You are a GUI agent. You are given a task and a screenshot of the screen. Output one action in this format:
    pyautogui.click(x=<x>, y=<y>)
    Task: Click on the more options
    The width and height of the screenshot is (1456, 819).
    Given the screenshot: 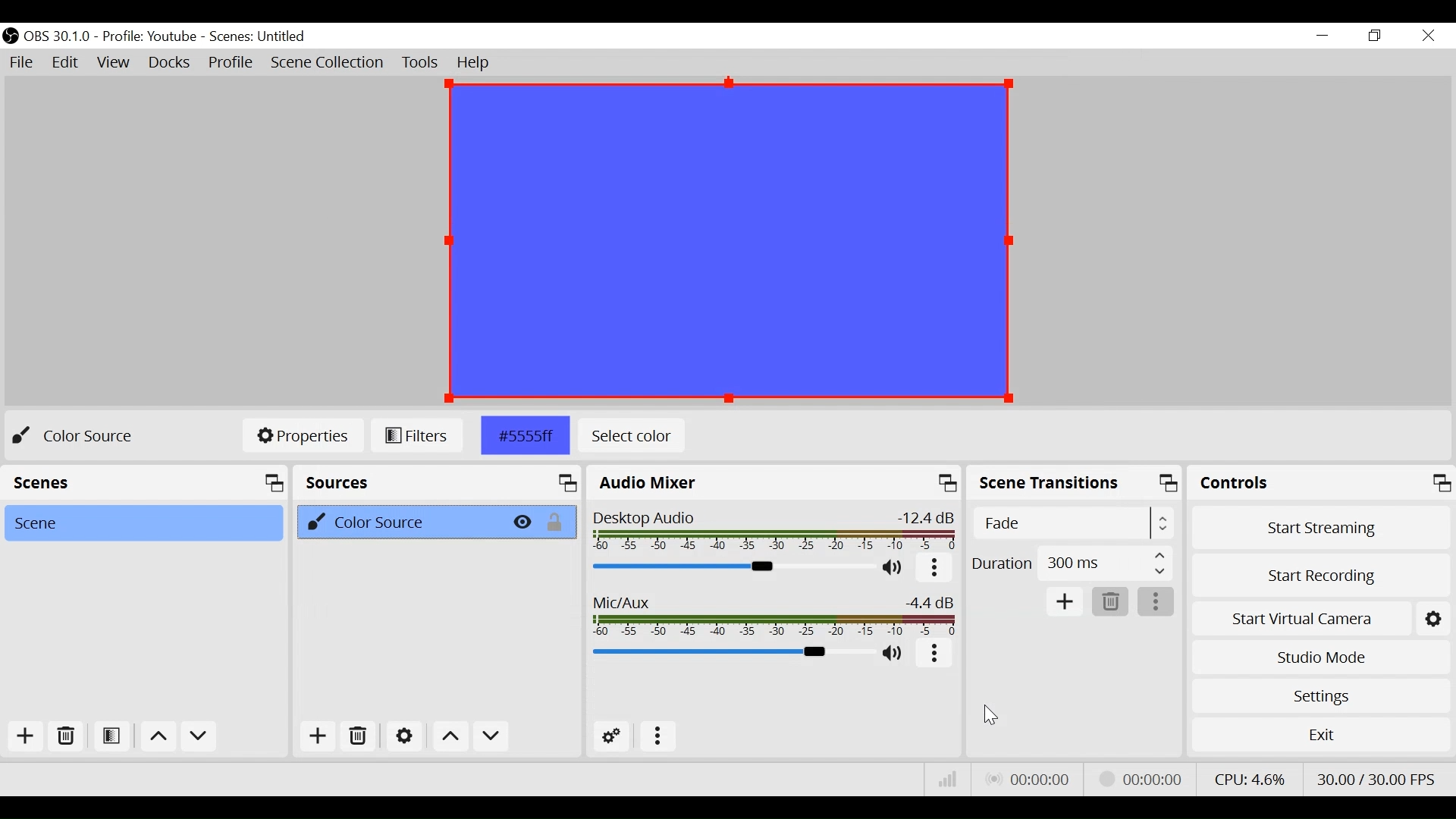 What is the action you would take?
    pyautogui.click(x=935, y=656)
    